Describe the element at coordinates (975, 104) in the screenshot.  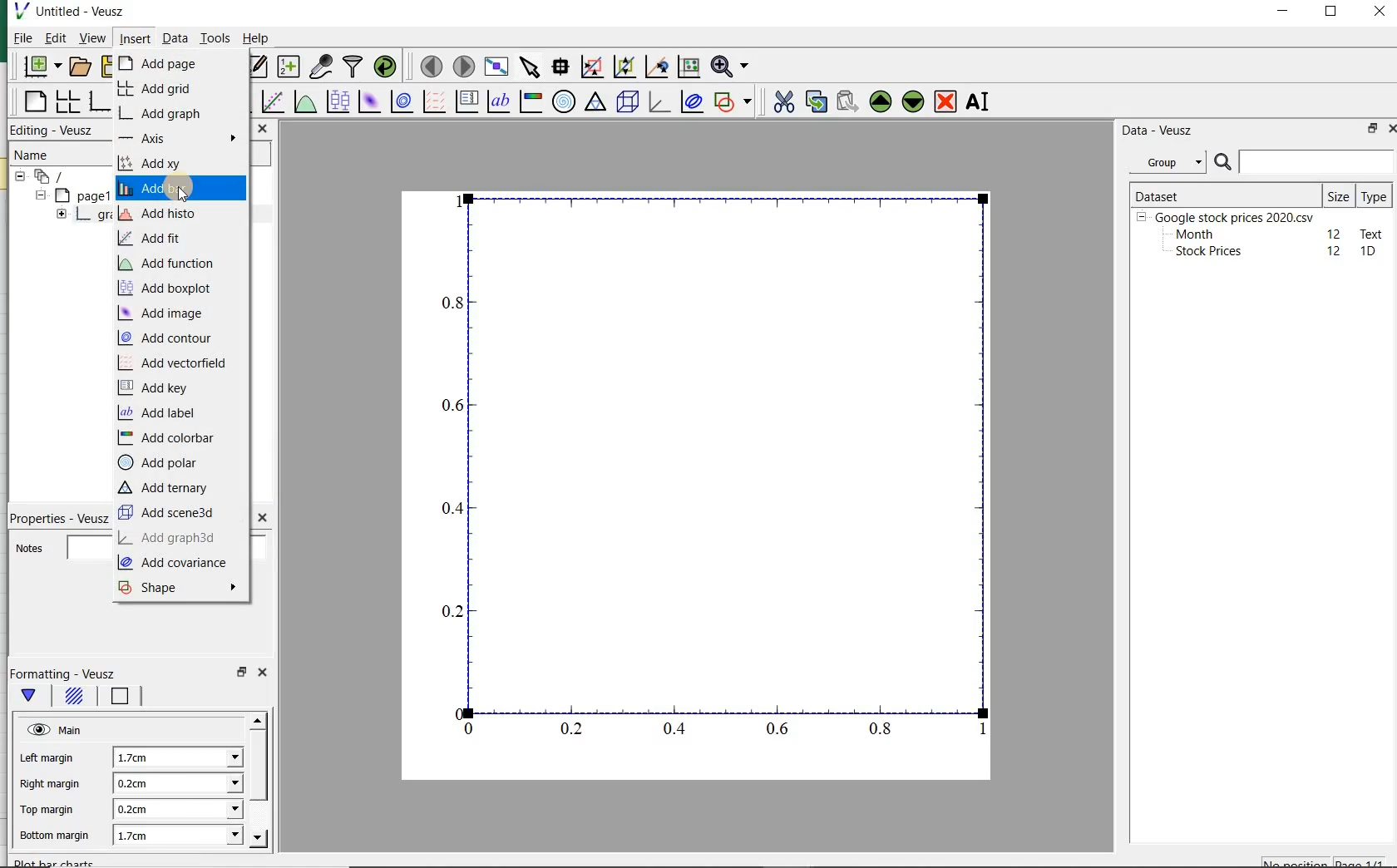
I see `renames the selected widget` at that location.